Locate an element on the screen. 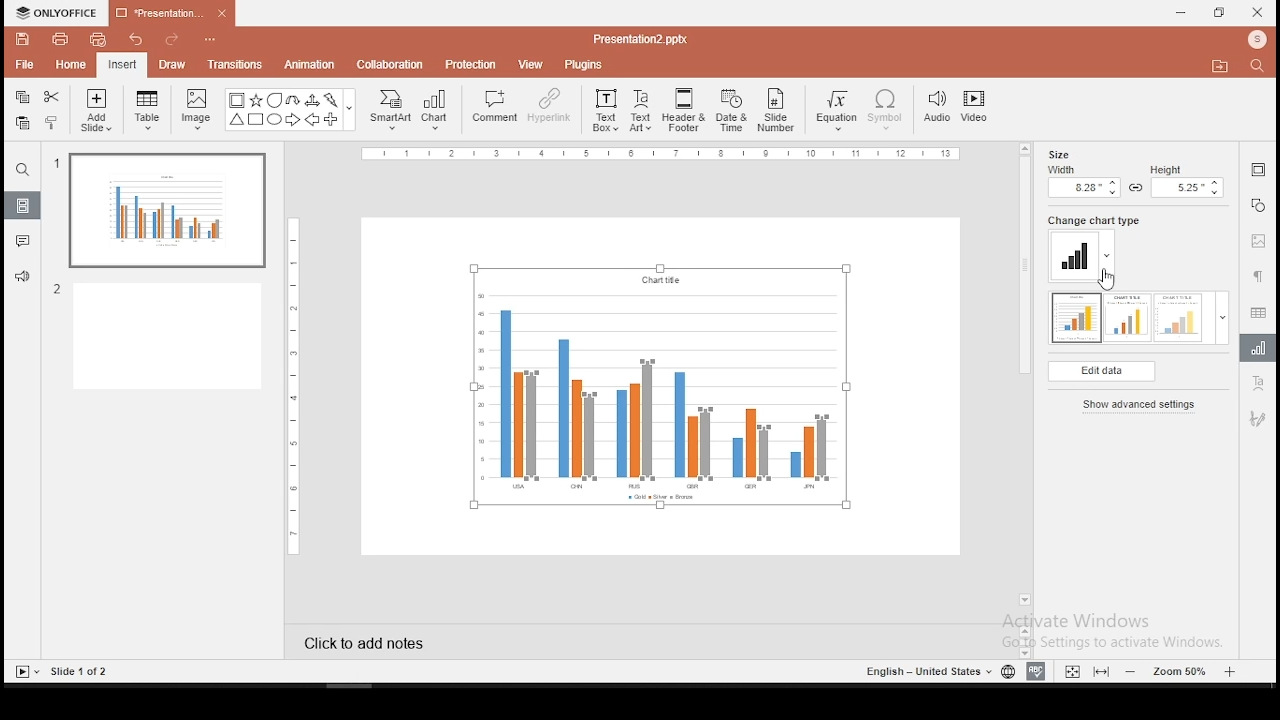 This screenshot has width=1280, height=720. smart art is located at coordinates (392, 110).